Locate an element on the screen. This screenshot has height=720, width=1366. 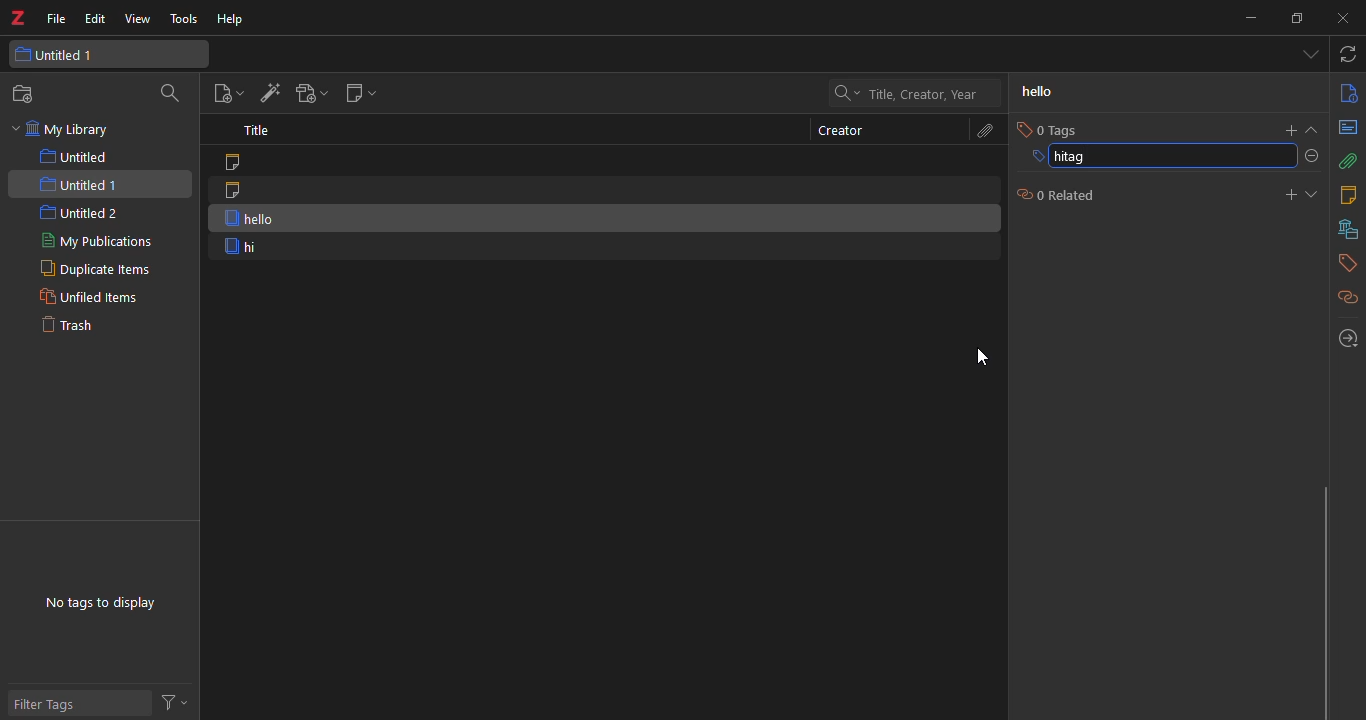
help is located at coordinates (234, 19).